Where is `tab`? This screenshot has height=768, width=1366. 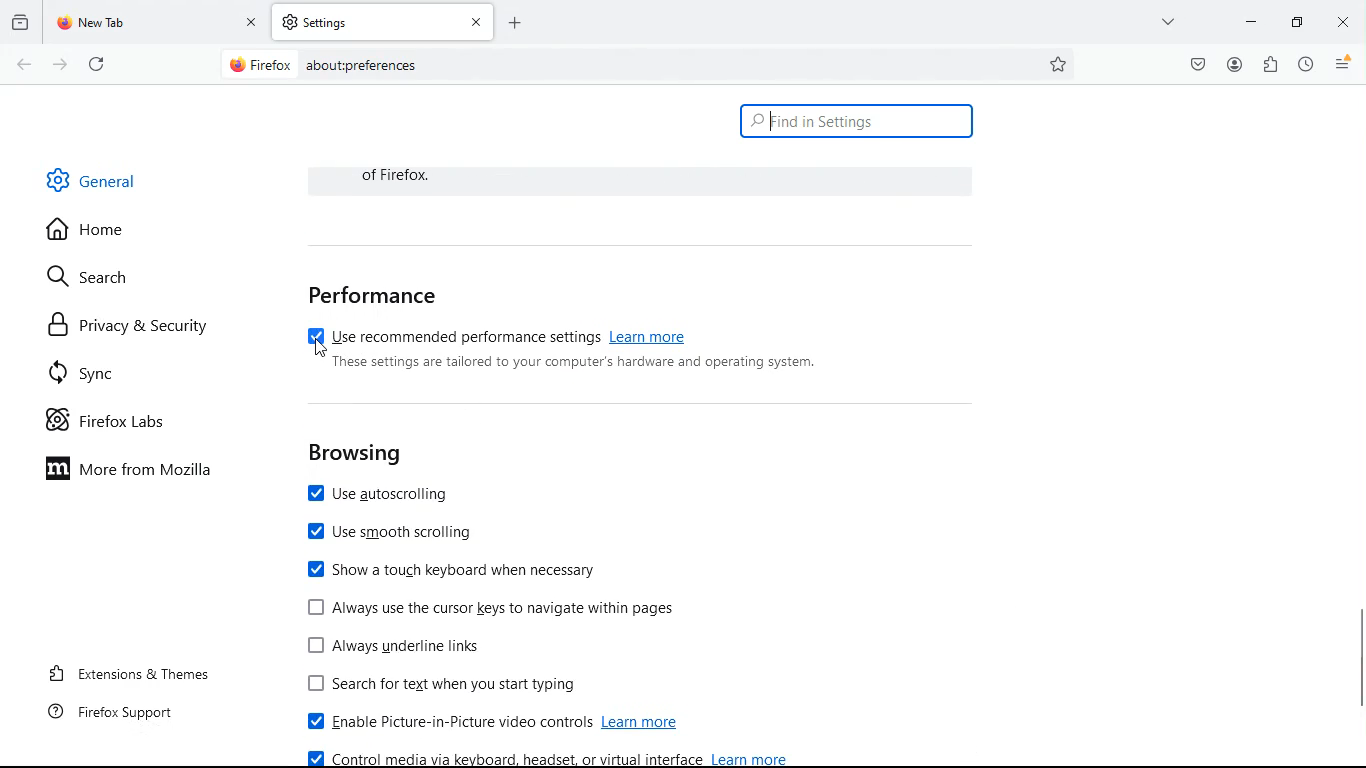 tab is located at coordinates (156, 23).